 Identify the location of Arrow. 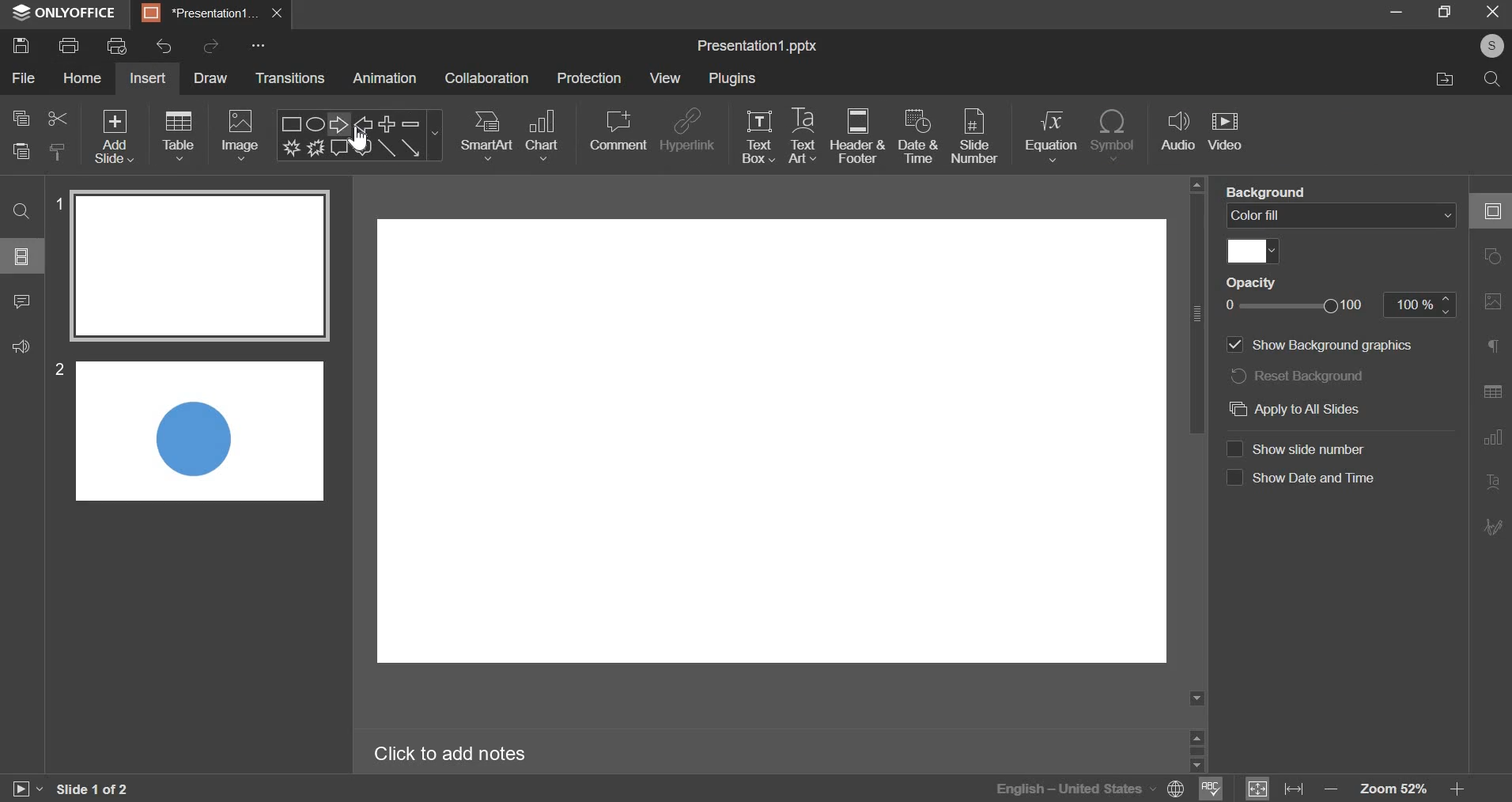
(411, 147).